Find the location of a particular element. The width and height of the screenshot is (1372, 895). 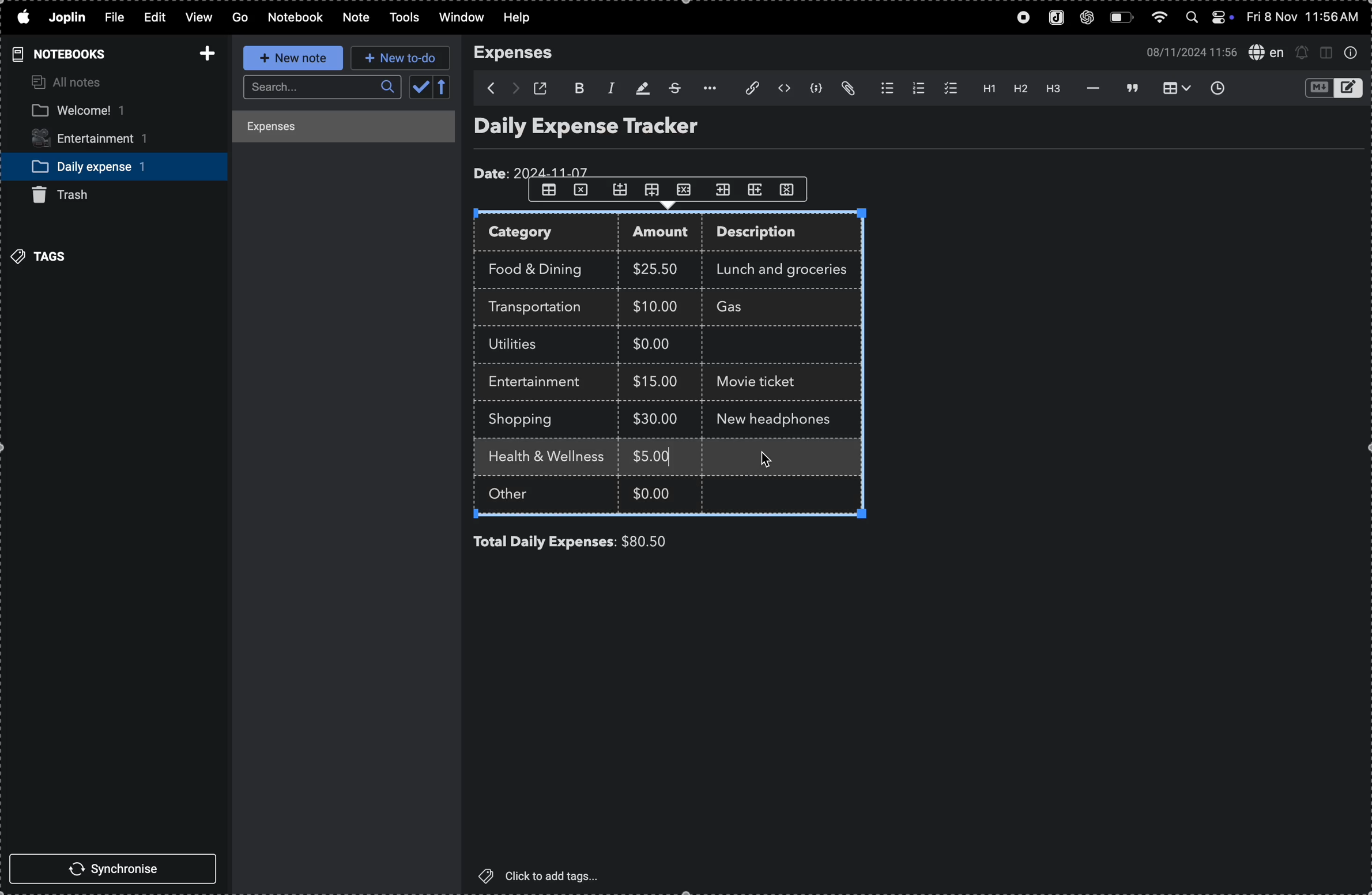

food and drink is located at coordinates (541, 267).